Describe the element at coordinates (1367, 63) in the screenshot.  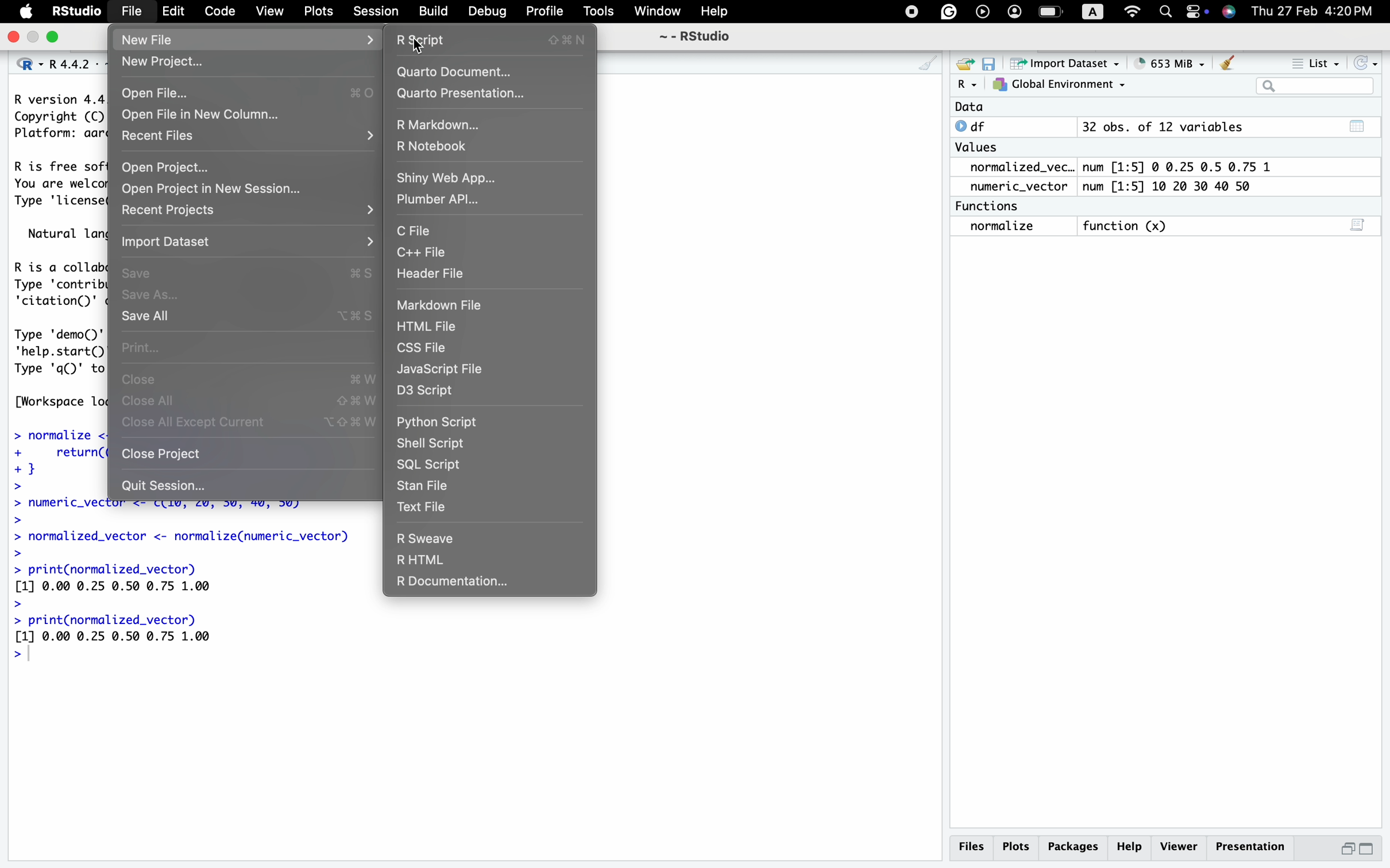
I see `Refresh` at that location.